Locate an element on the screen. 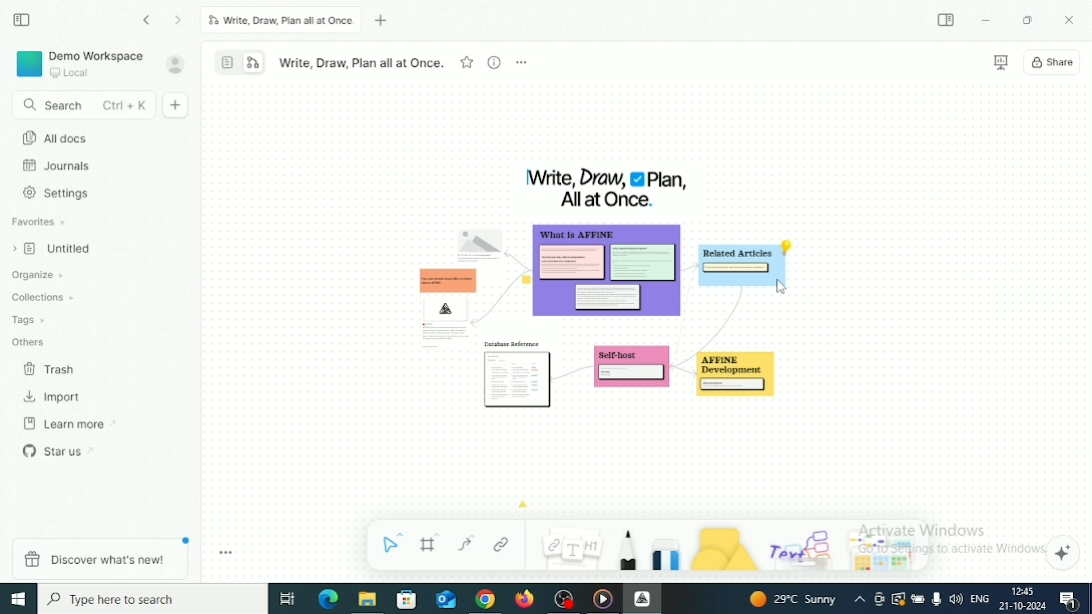 The height and width of the screenshot is (614, 1092). Affine is located at coordinates (642, 598).